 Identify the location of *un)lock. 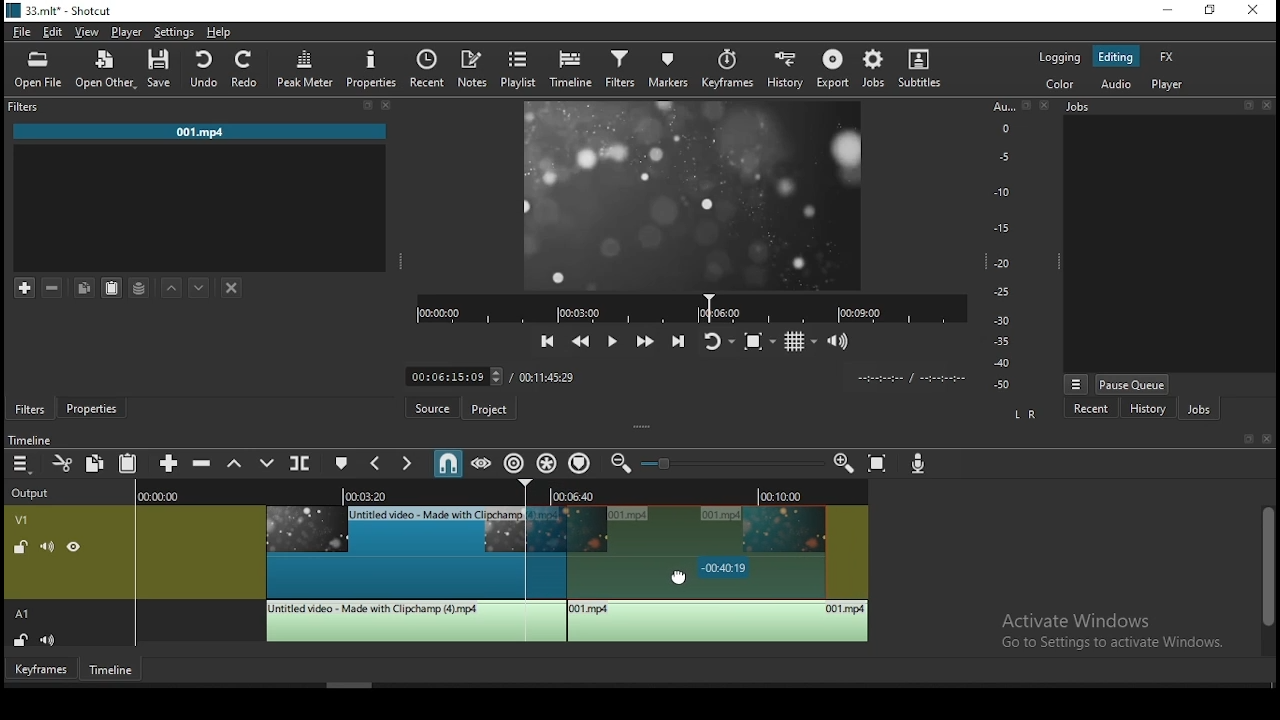
(17, 546).